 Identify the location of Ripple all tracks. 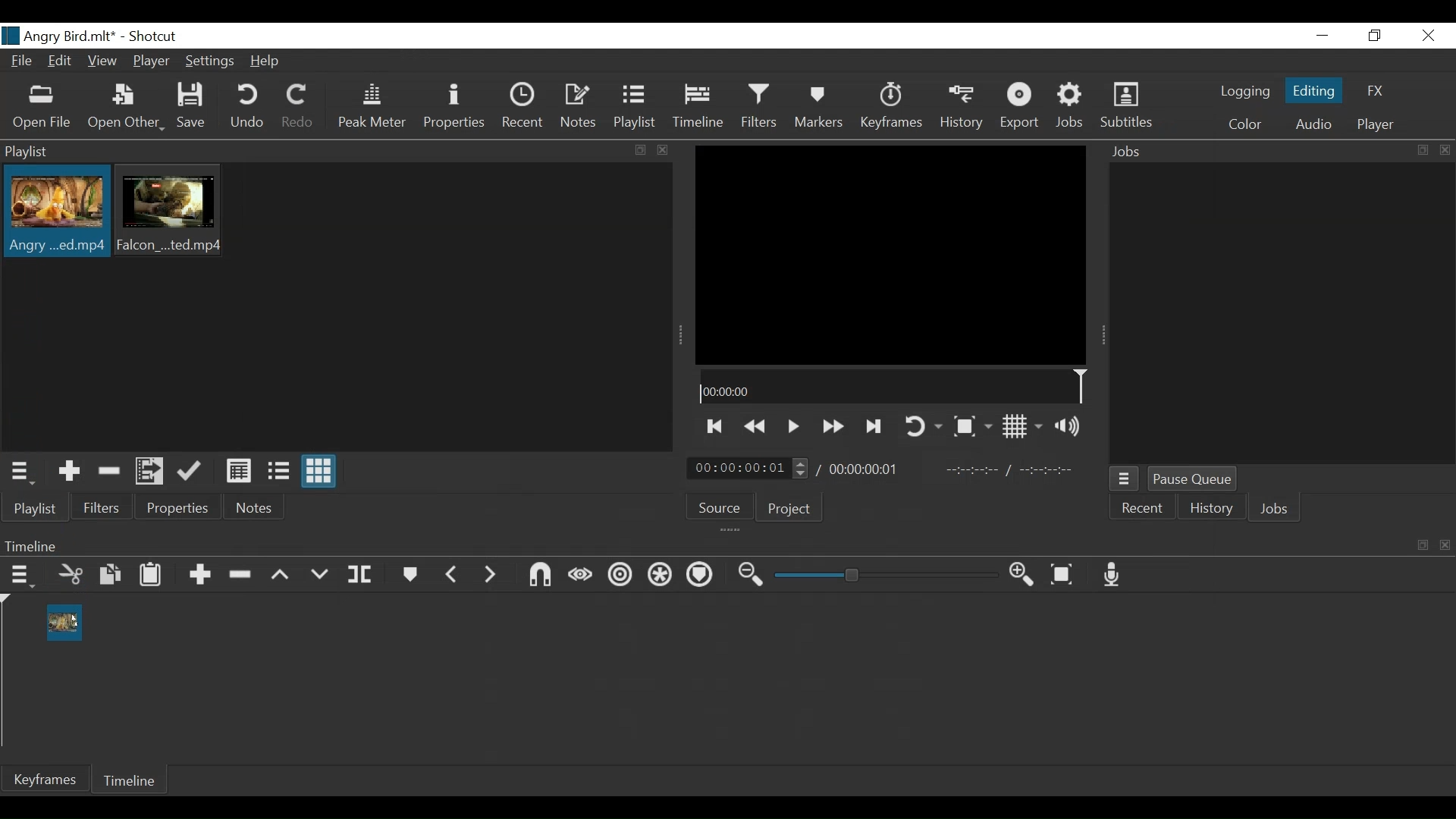
(658, 575).